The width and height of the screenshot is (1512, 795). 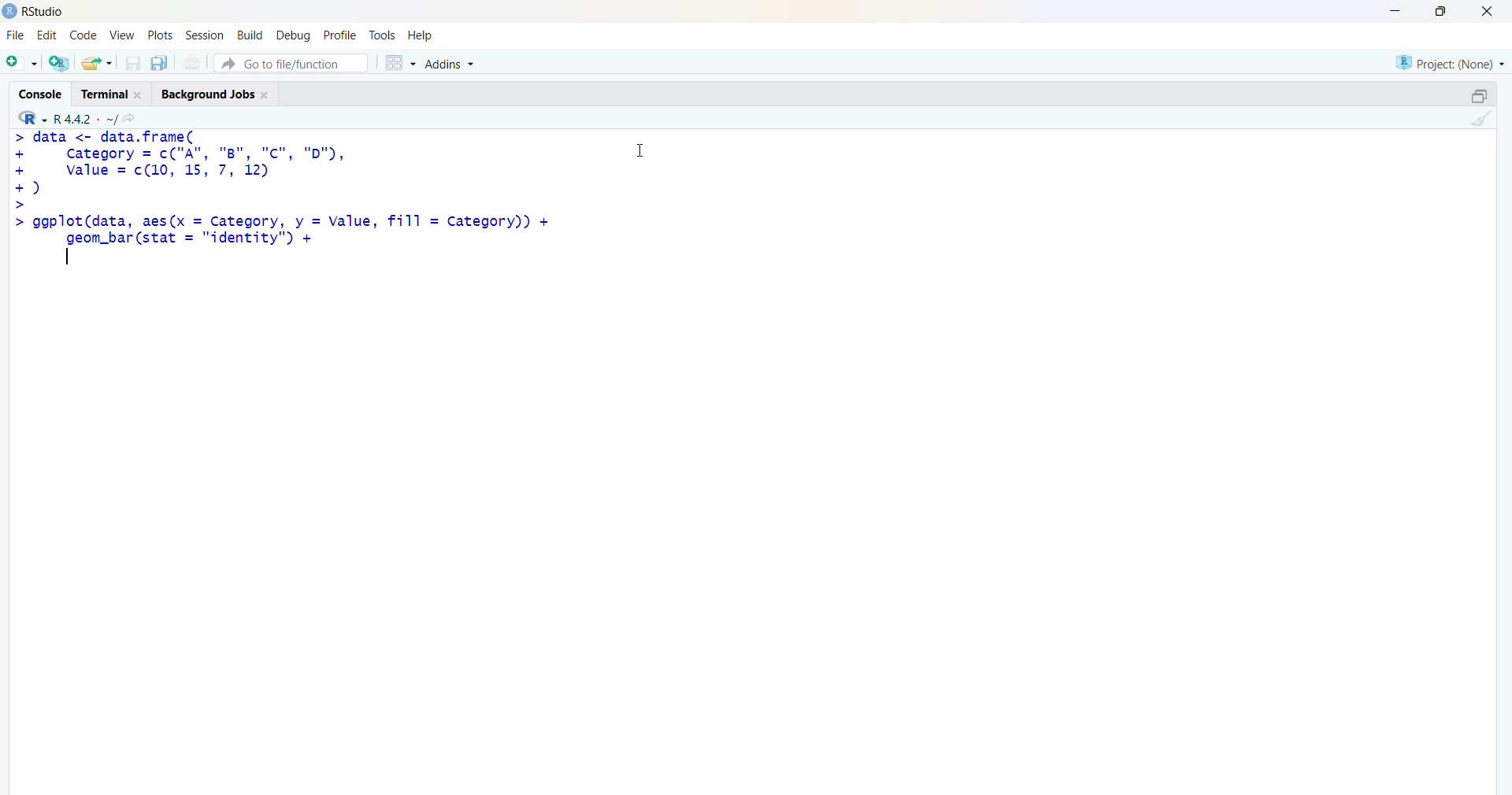 What do you see at coordinates (1400, 11) in the screenshot?
I see `minimize` at bounding box center [1400, 11].